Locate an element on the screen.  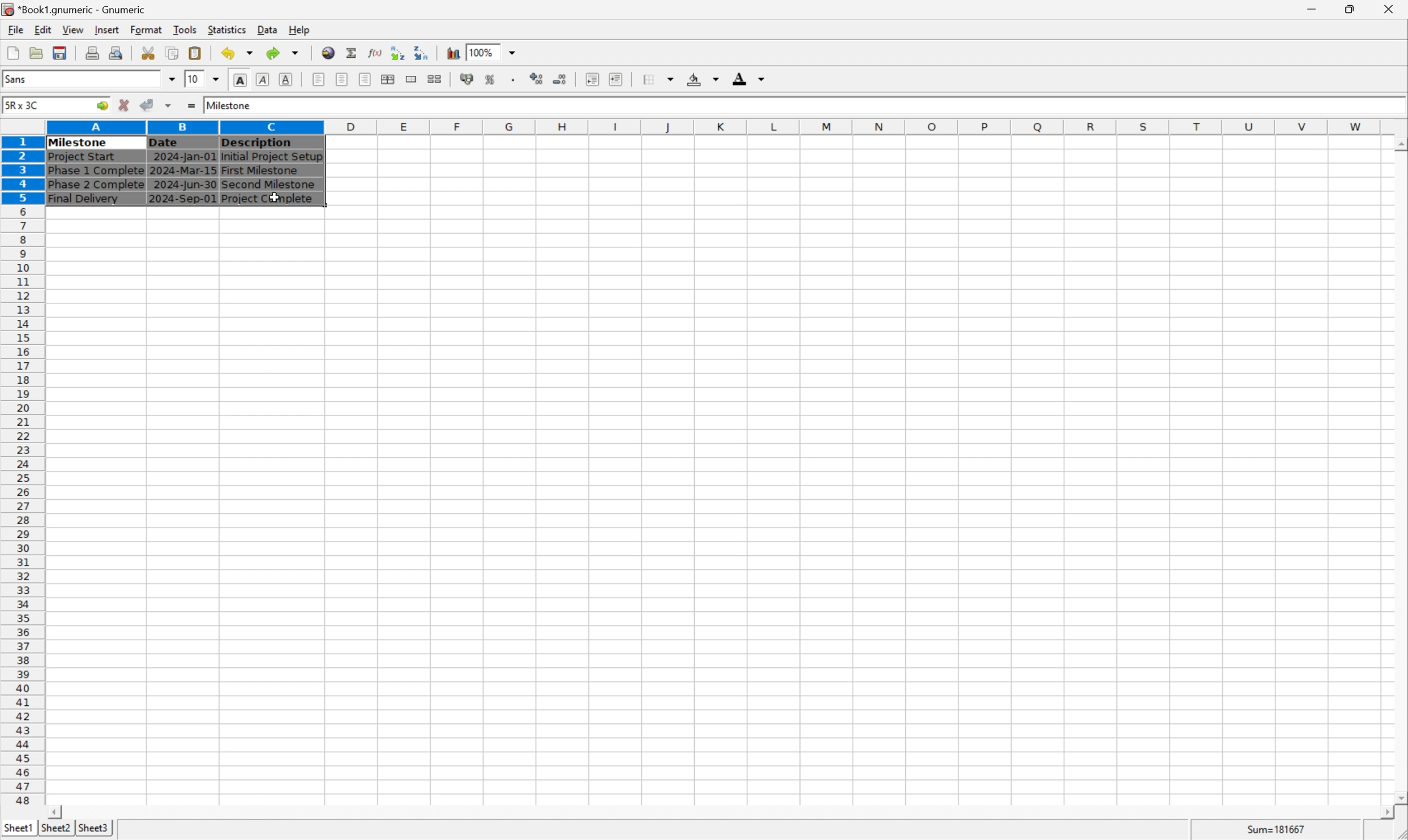
print preview is located at coordinates (92, 52).